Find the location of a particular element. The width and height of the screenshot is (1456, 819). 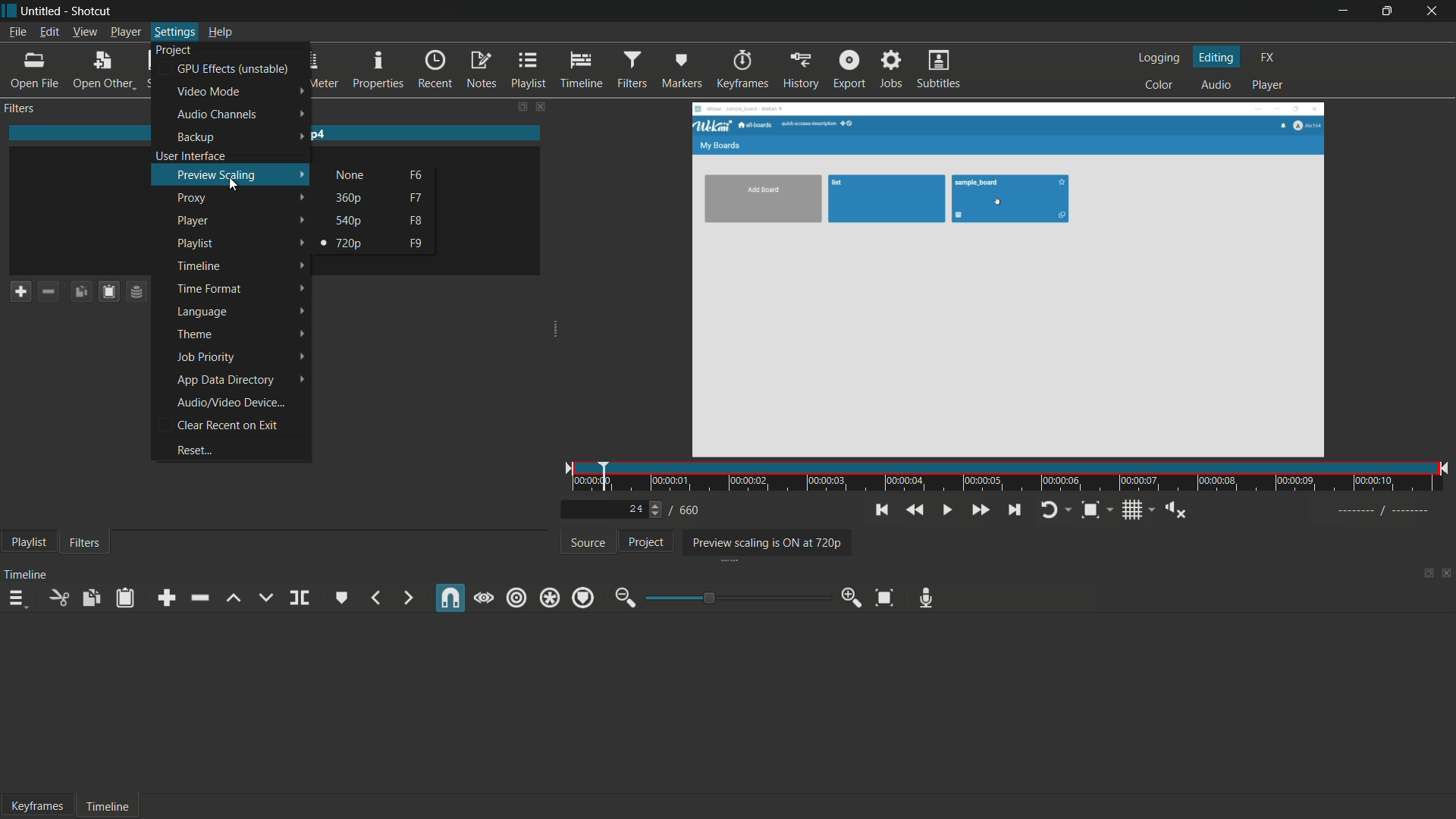

app data directory is located at coordinates (224, 379).